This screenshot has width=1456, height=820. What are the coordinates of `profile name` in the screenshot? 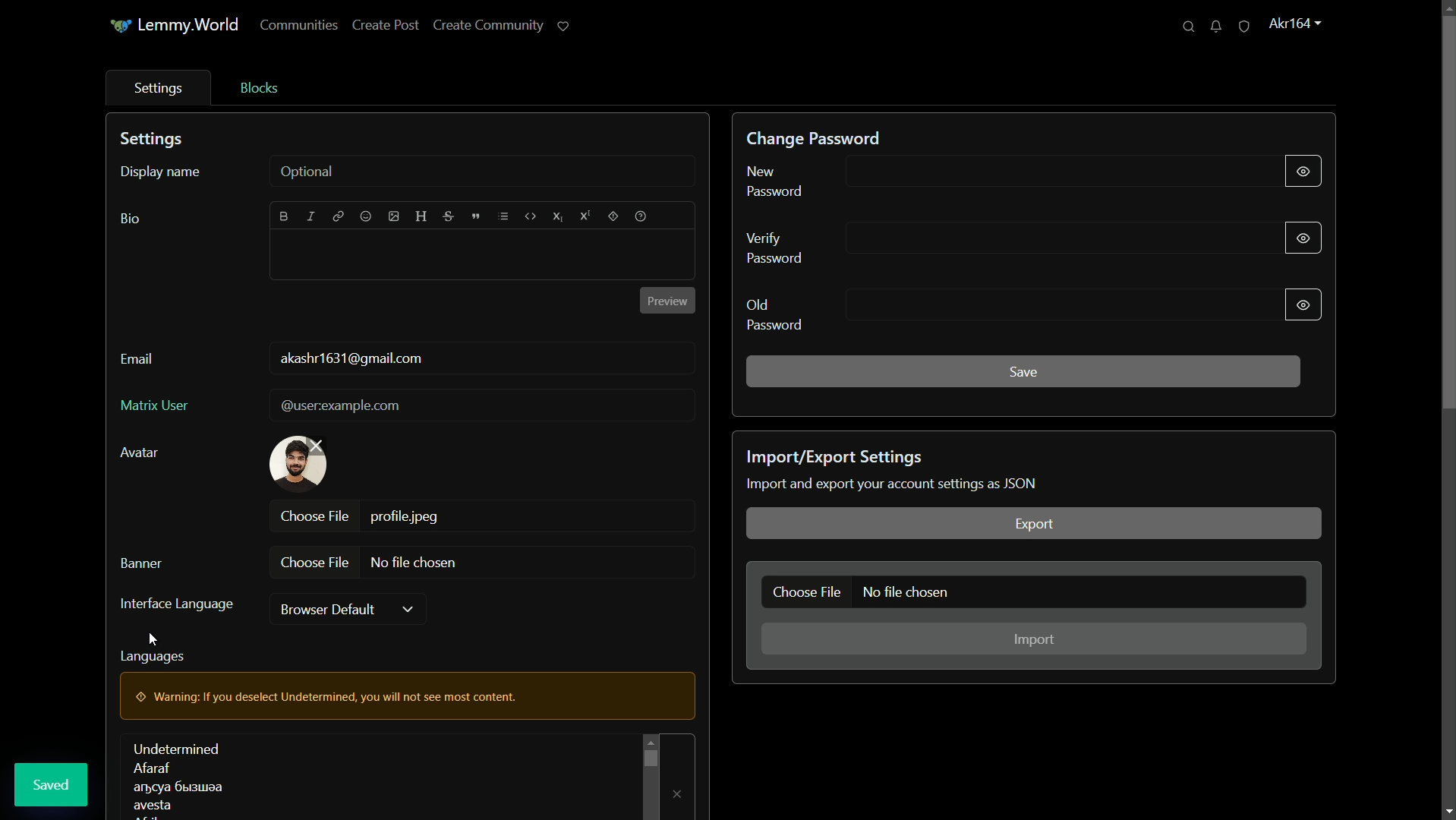 It's located at (1294, 22).